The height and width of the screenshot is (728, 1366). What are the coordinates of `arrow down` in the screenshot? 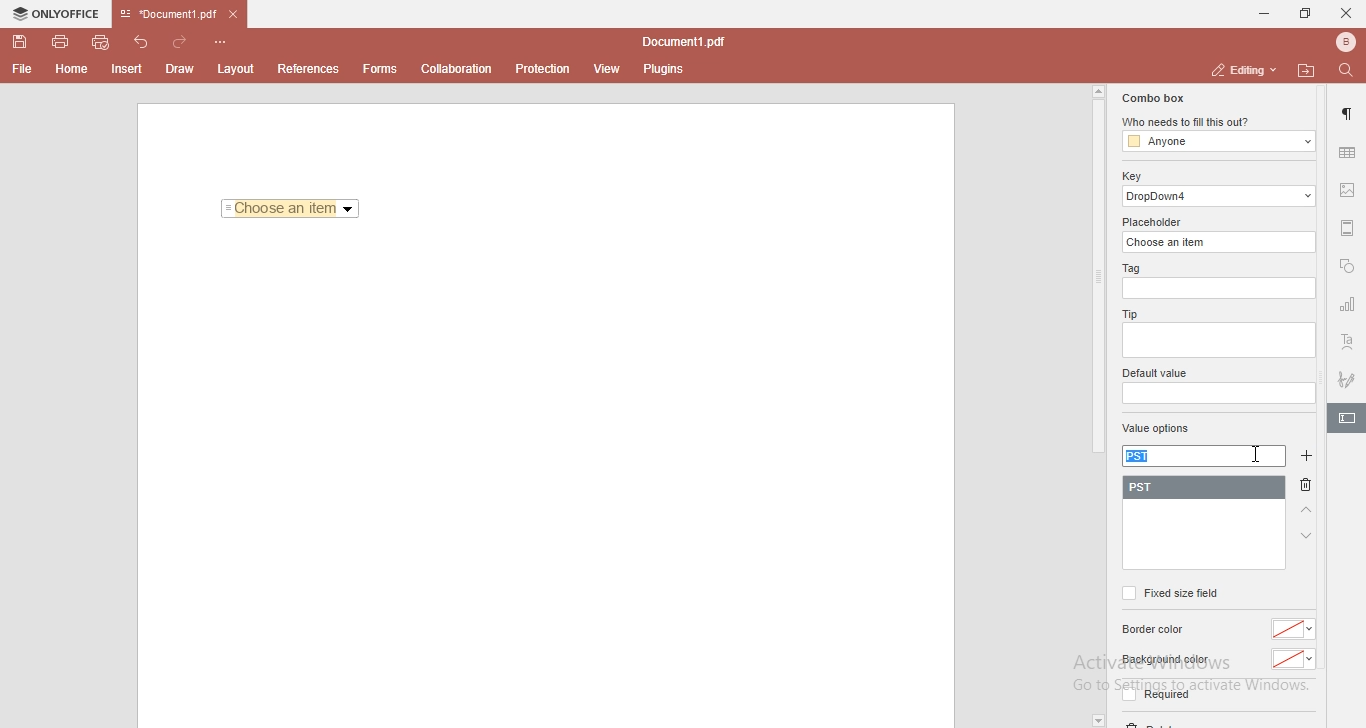 It's located at (1307, 536).